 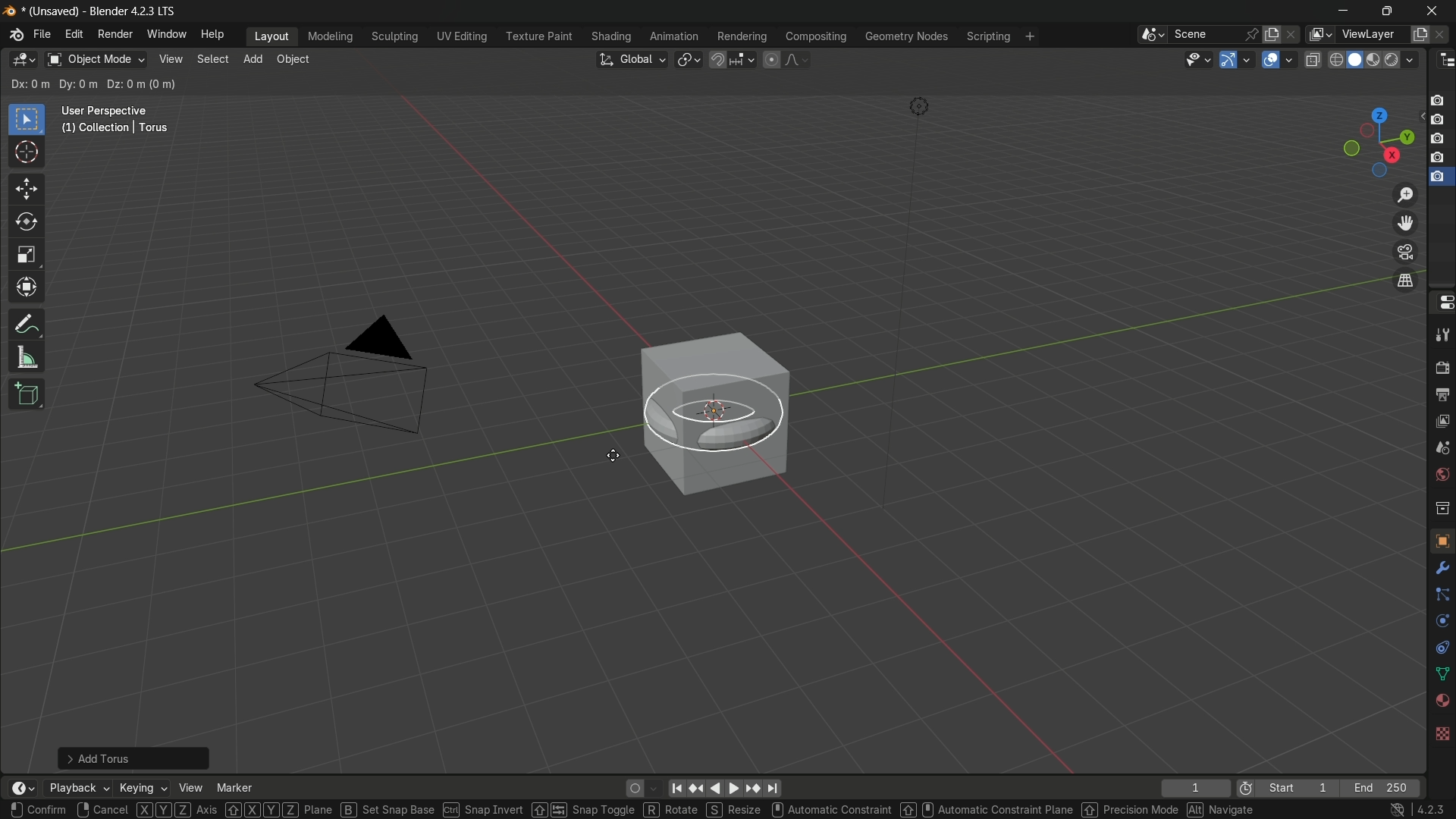 What do you see at coordinates (1441, 507) in the screenshot?
I see `collection` at bounding box center [1441, 507].